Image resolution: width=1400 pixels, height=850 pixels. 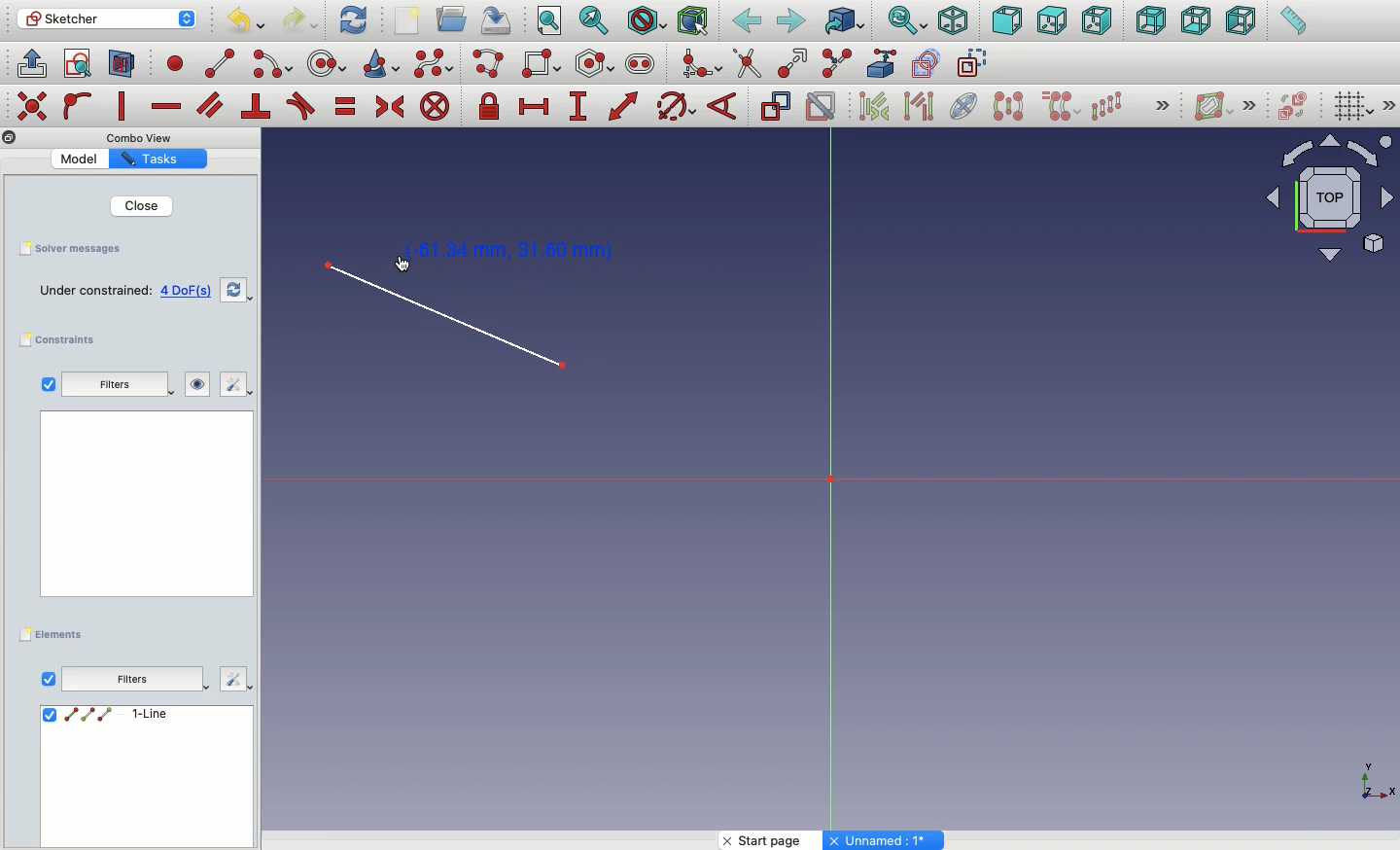 I want to click on Constraints , so click(x=62, y=339).